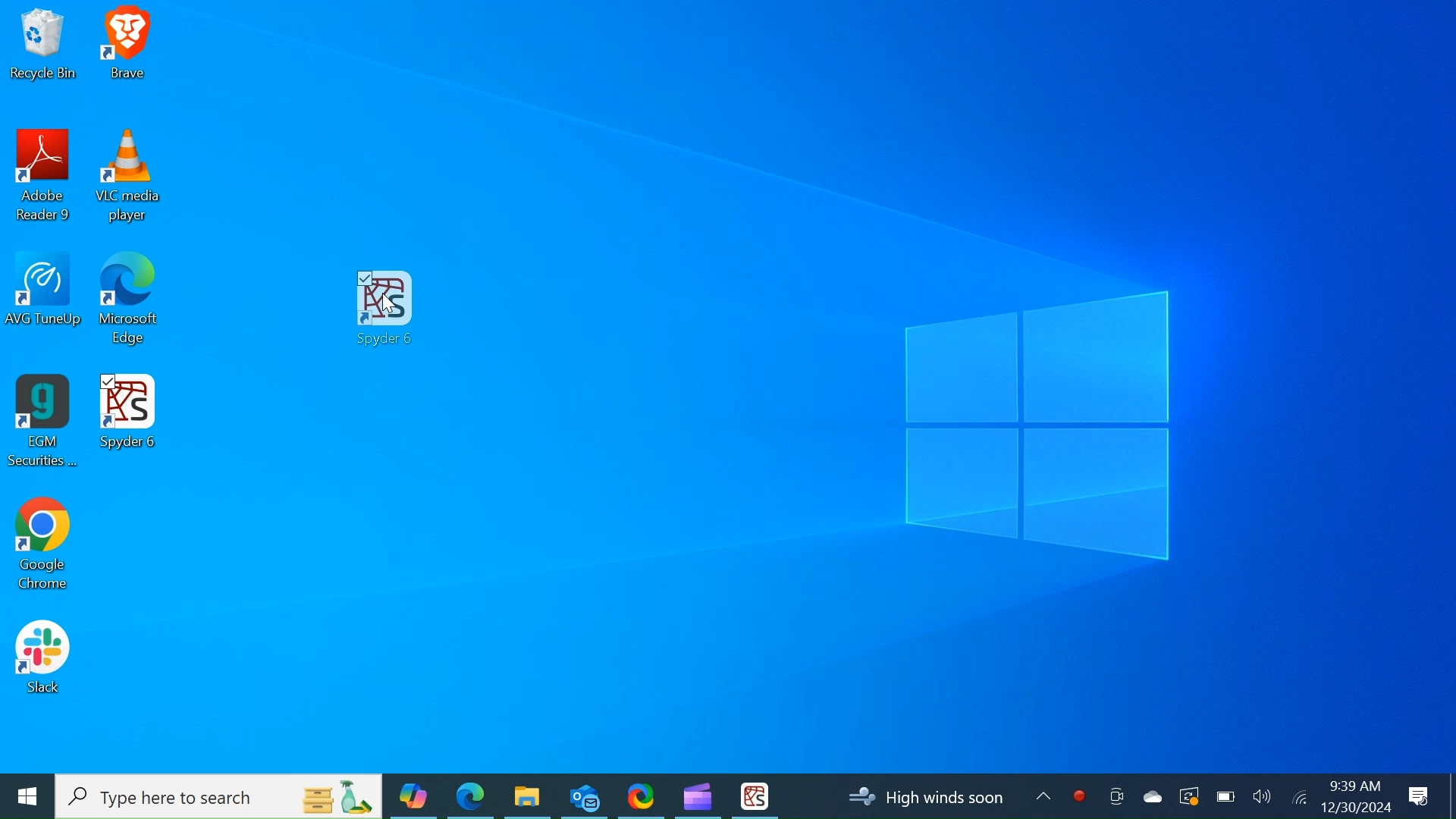 The image size is (1456, 819). What do you see at coordinates (1079, 796) in the screenshot?
I see `Record` at bounding box center [1079, 796].